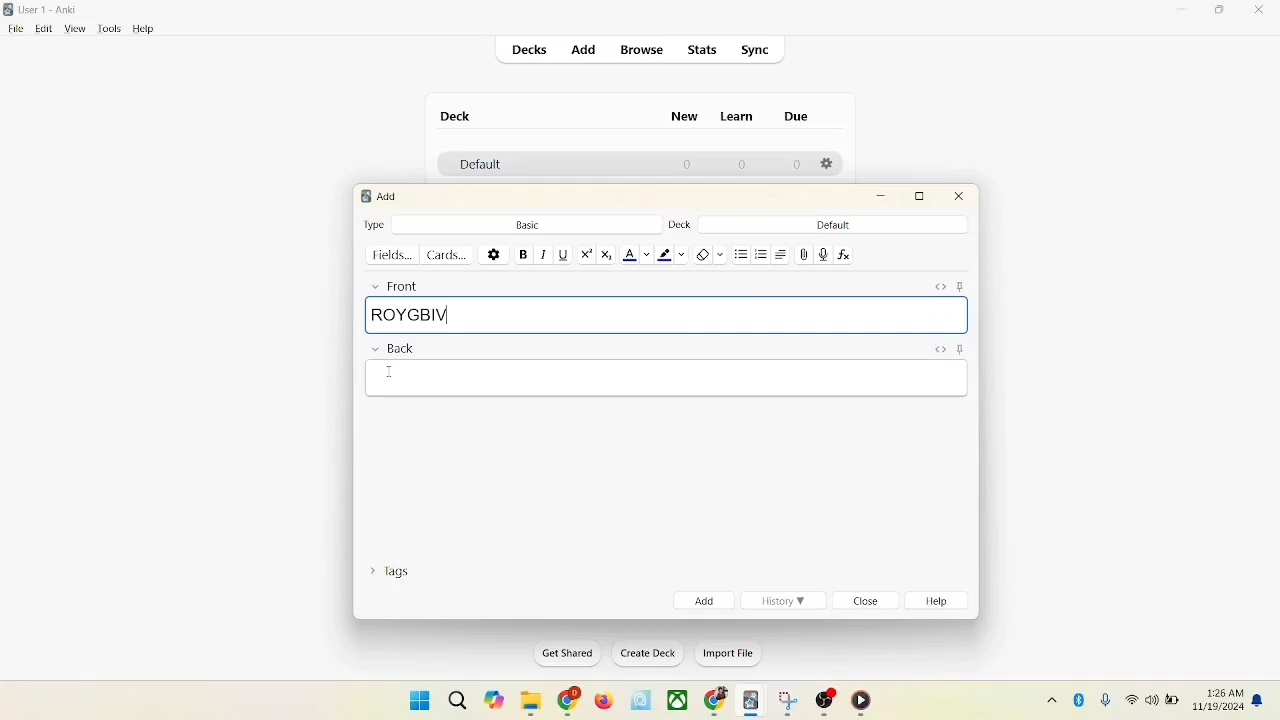 The height and width of the screenshot is (720, 1280). Describe the element at coordinates (527, 223) in the screenshot. I see `basic` at that location.